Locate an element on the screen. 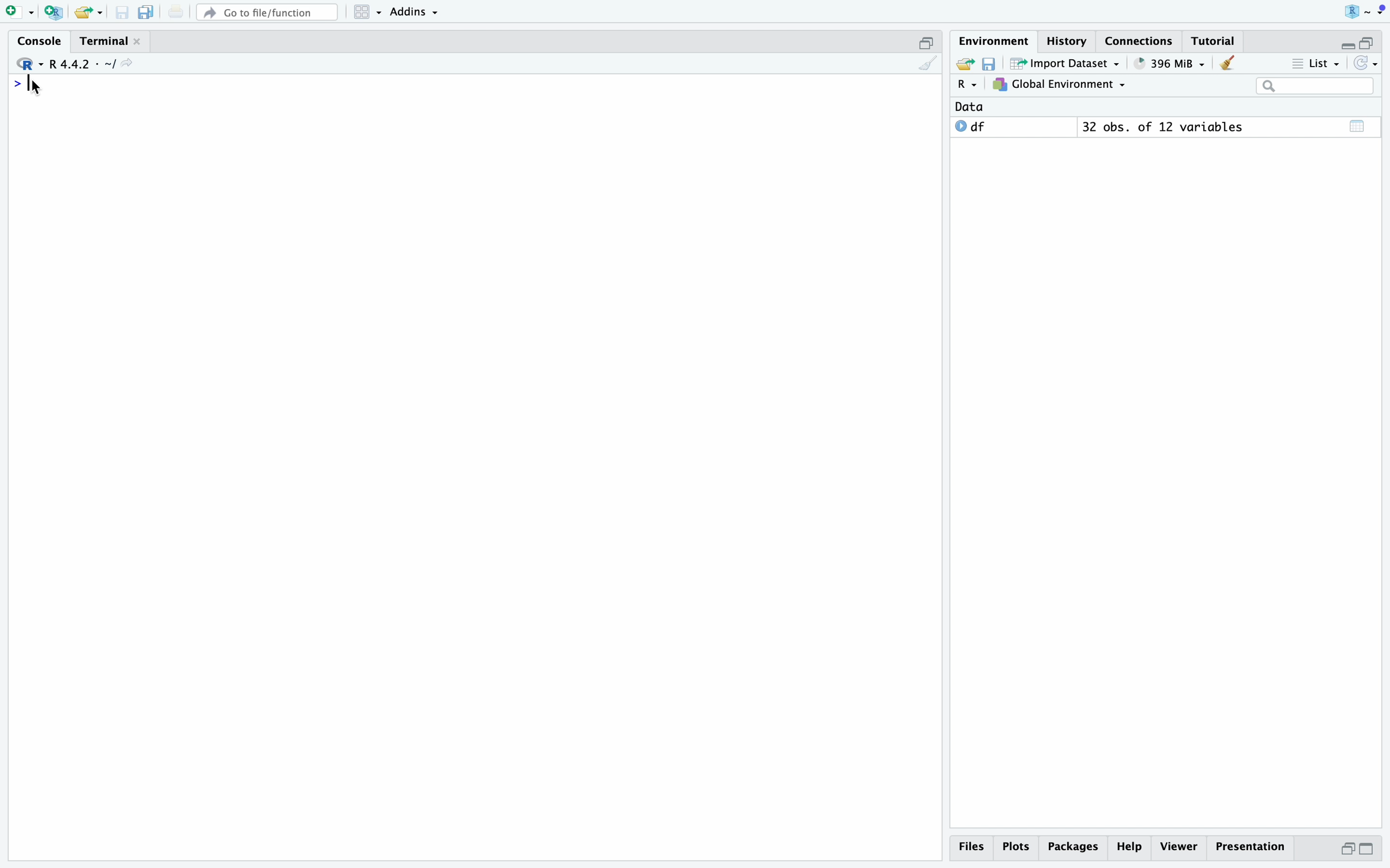 Image resolution: width=1390 pixels, height=868 pixels. console is located at coordinates (42, 40).